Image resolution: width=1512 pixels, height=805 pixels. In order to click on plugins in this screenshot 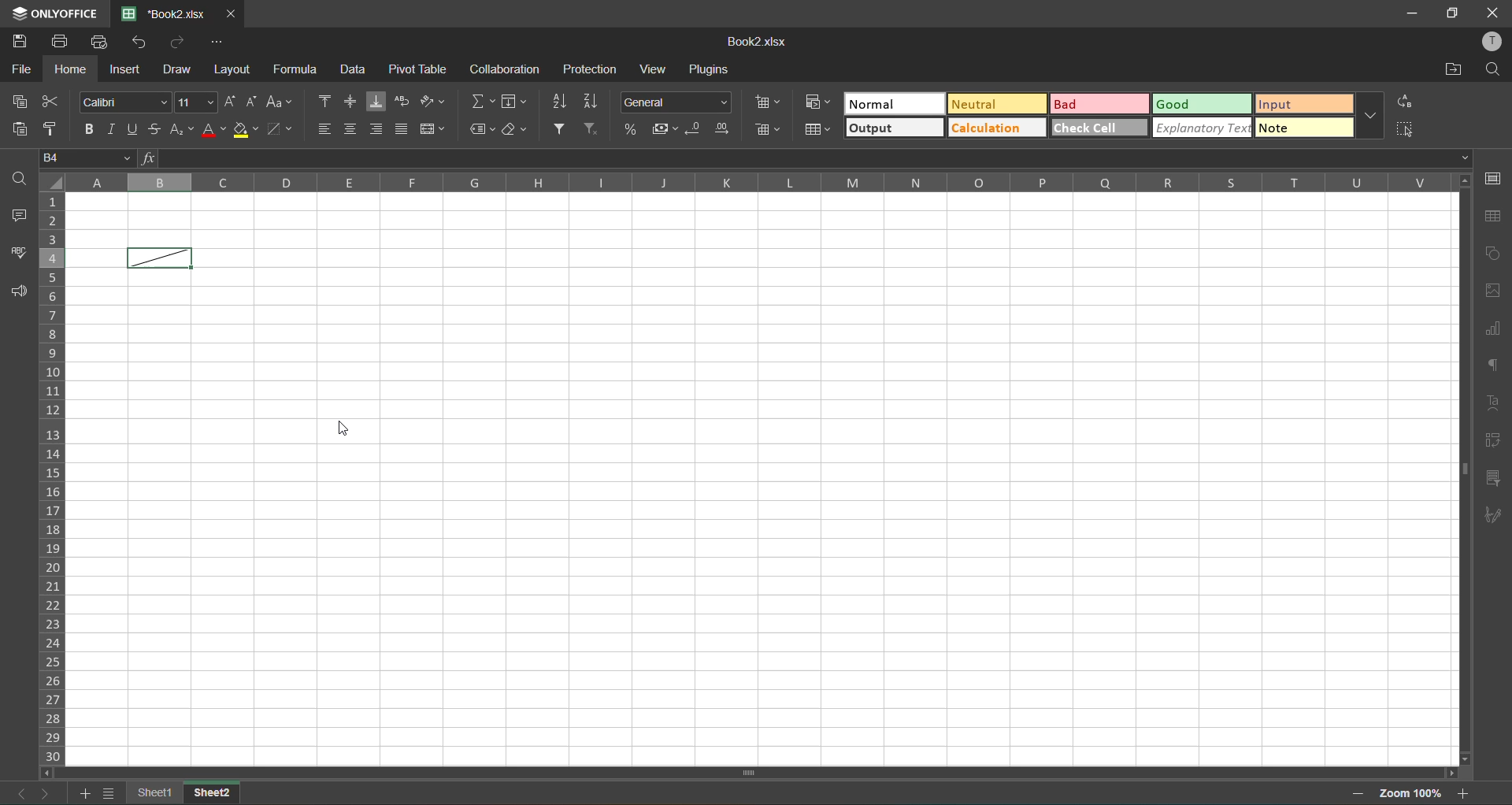, I will do `click(707, 69)`.